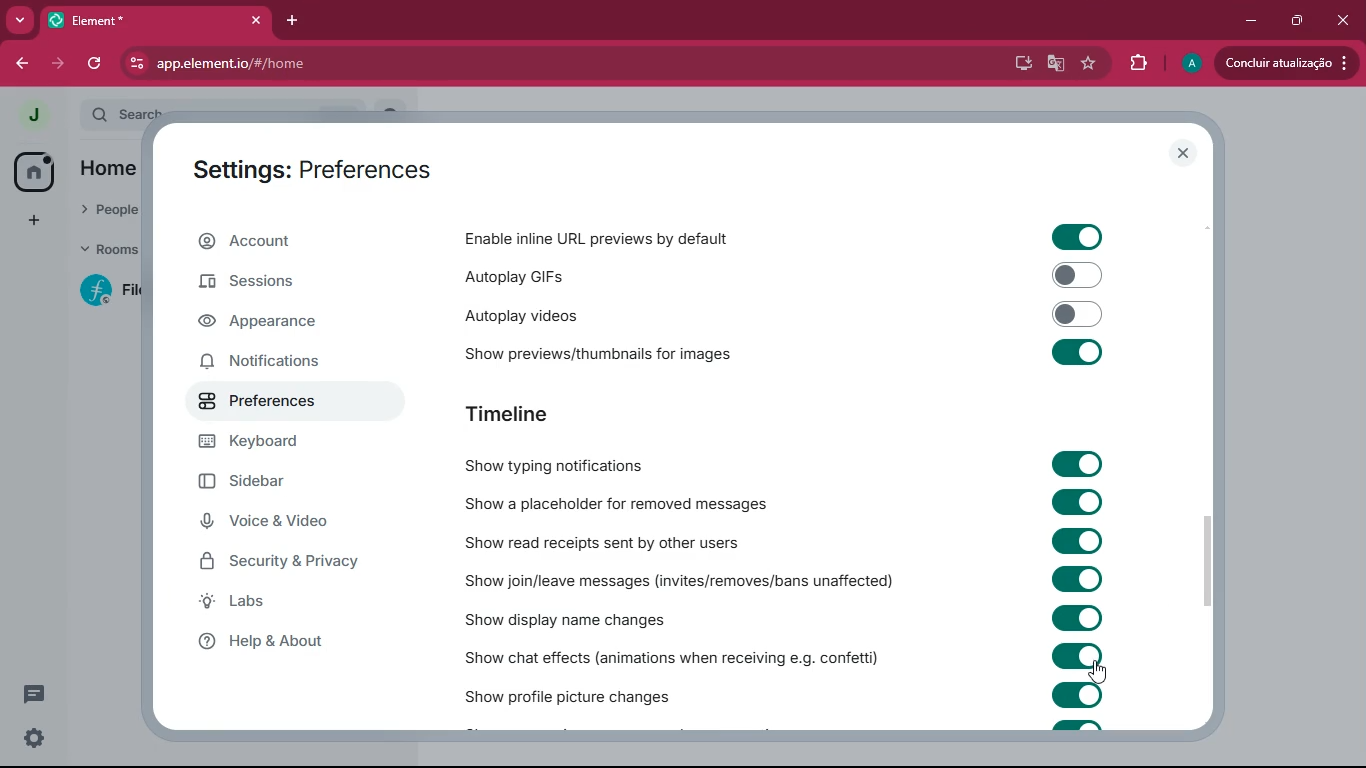 This screenshot has width=1366, height=768. What do you see at coordinates (108, 20) in the screenshot?
I see `Element* tab` at bounding box center [108, 20].